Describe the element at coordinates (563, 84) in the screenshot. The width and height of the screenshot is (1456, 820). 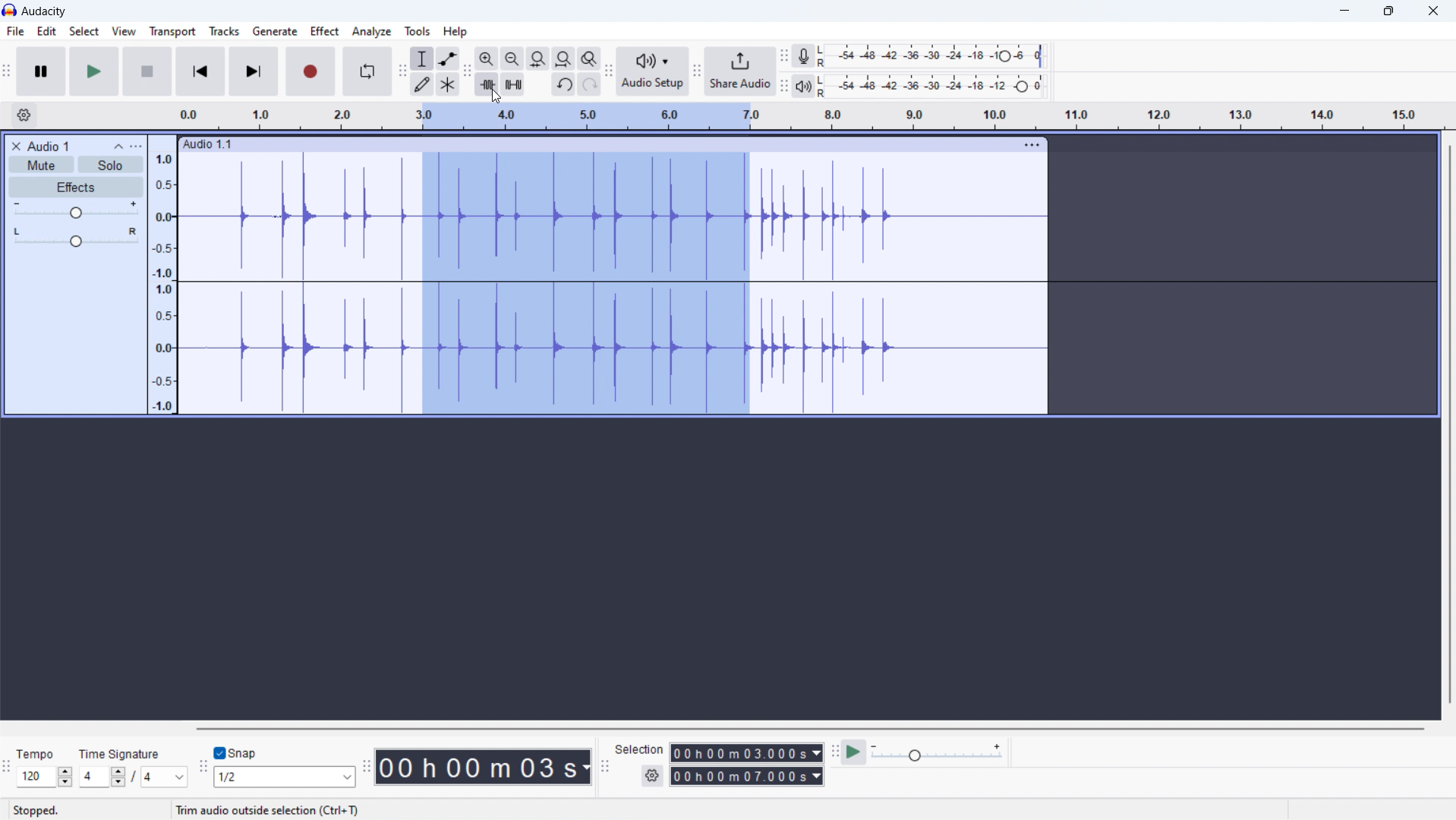
I see `undo` at that location.